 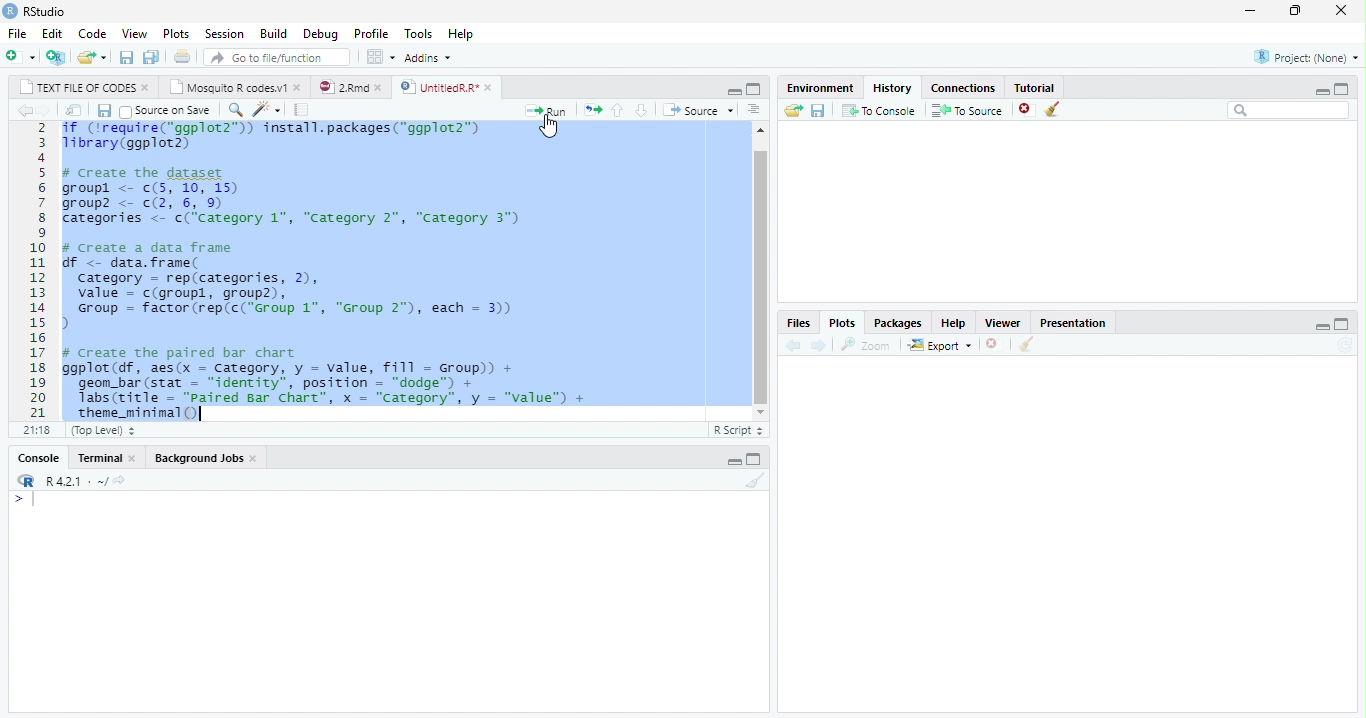 I want to click on maximize, so click(x=758, y=90).